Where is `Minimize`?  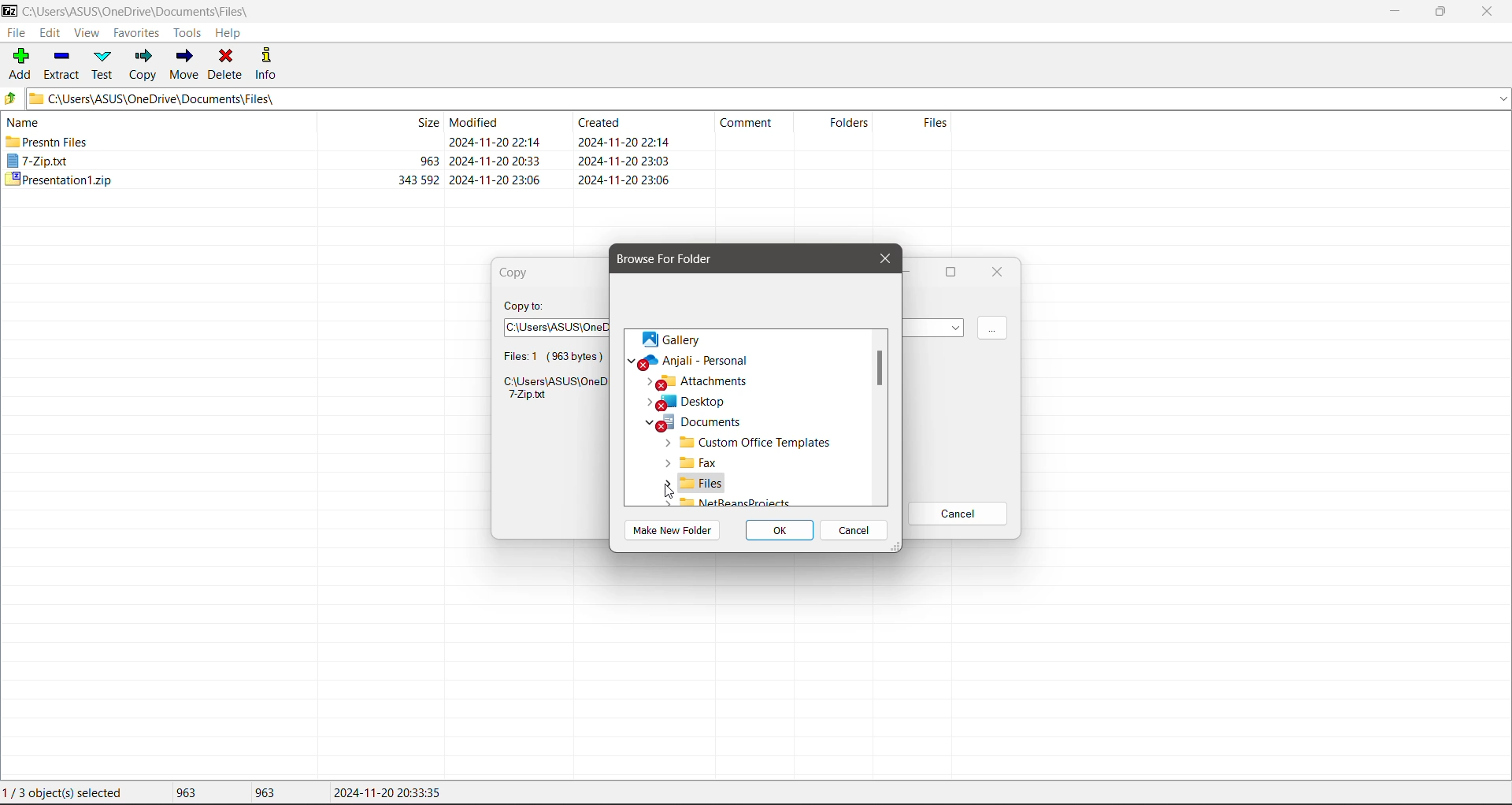
Minimize is located at coordinates (913, 273).